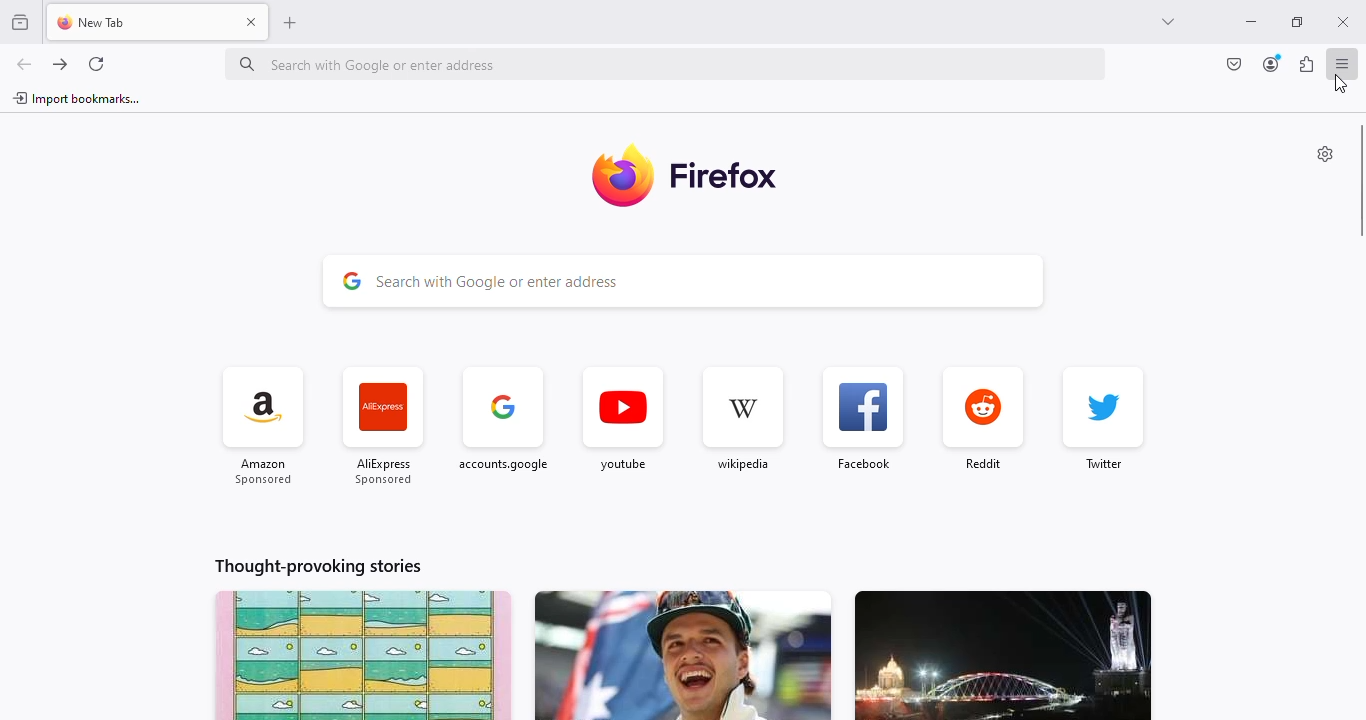 The height and width of the screenshot is (720, 1366). Describe the element at coordinates (383, 429) in the screenshot. I see `AliExpress` at that location.